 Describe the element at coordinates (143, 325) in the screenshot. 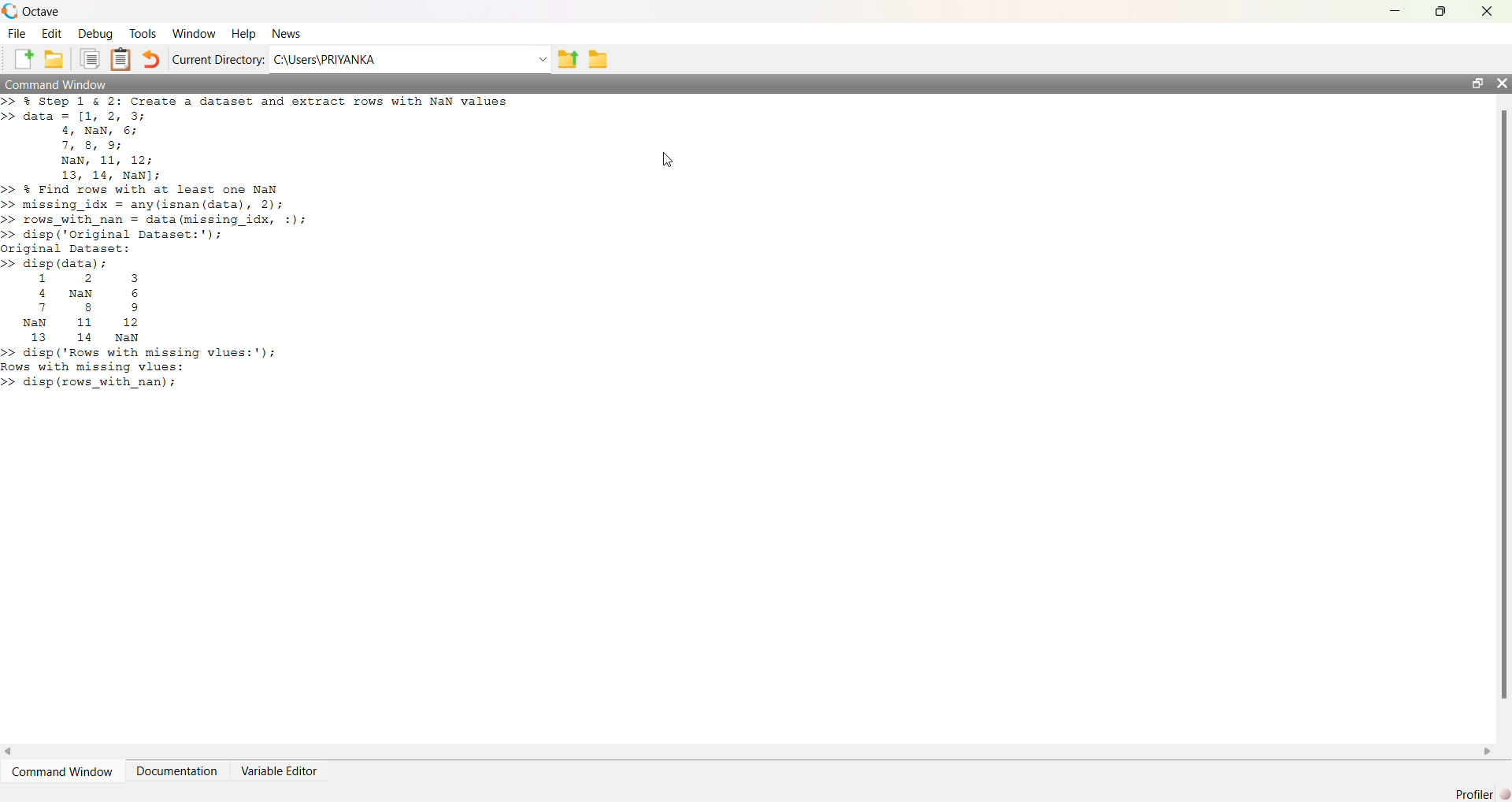

I see `>> disp (data);
1 2 3
4 Nan 6
7 8 9
Nan 11 12
13 14 NaN
>> disp ('Rows with missing vlues:');
Rows with missing vlues:
>> disp (rows_with nan);` at that location.